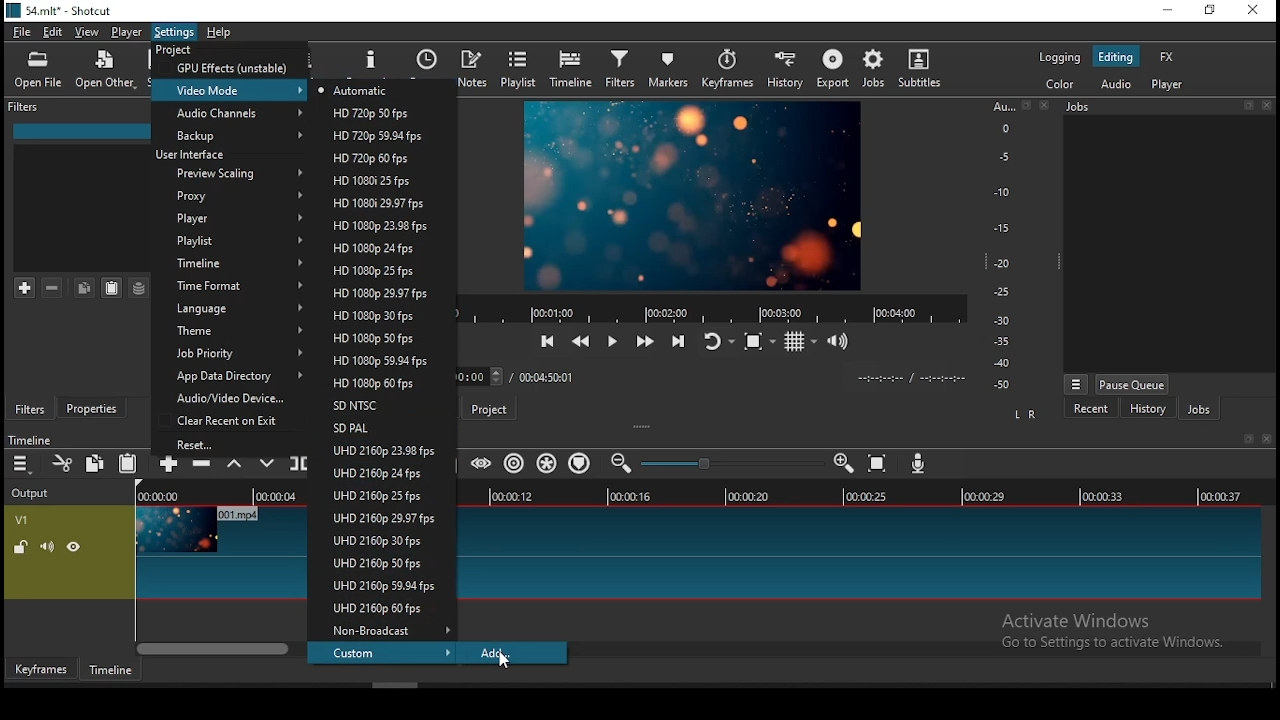  Describe the element at coordinates (678, 342) in the screenshot. I see `skip to the next point` at that location.